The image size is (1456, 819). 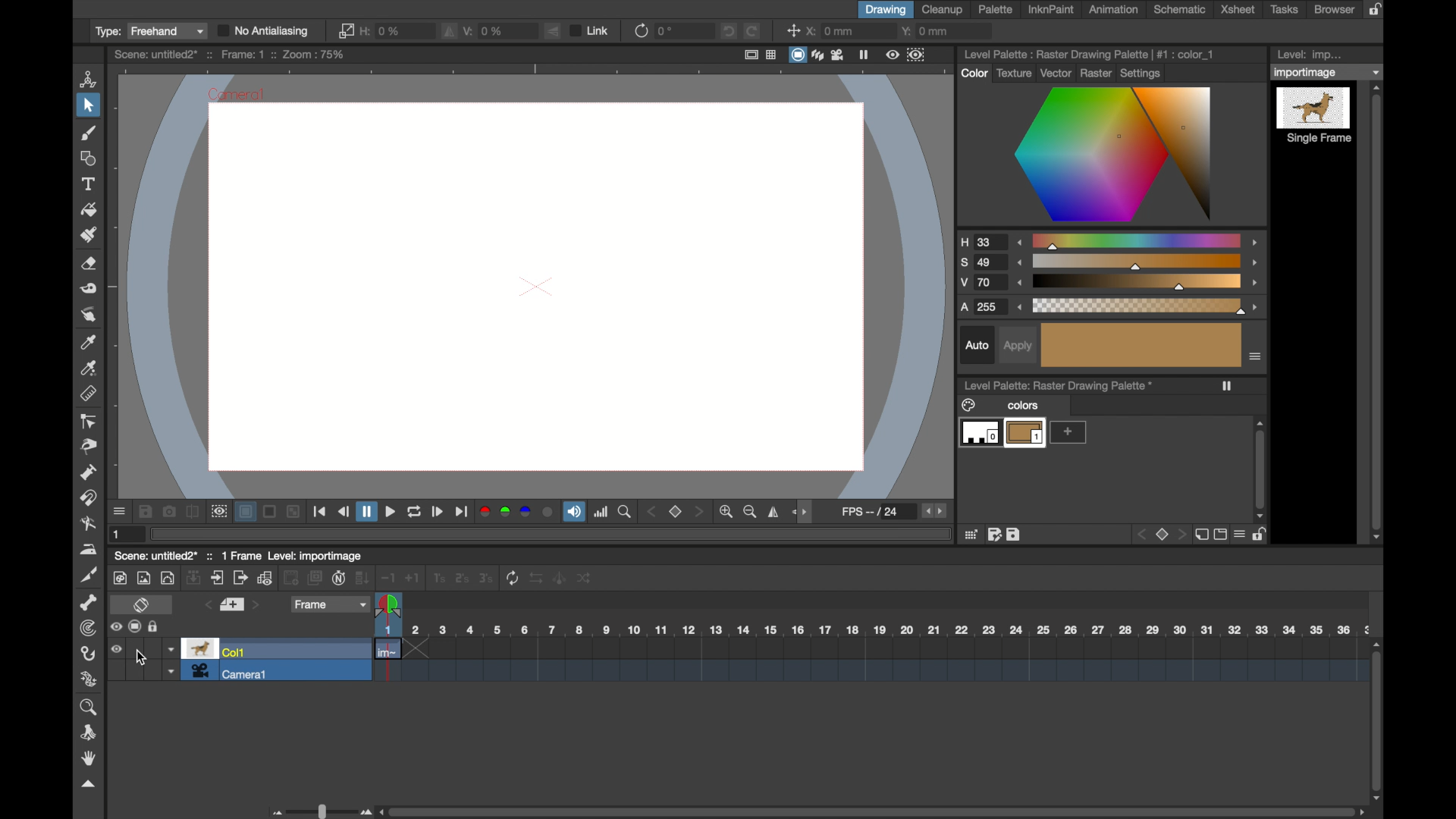 What do you see at coordinates (88, 525) in the screenshot?
I see `blender tool` at bounding box center [88, 525].